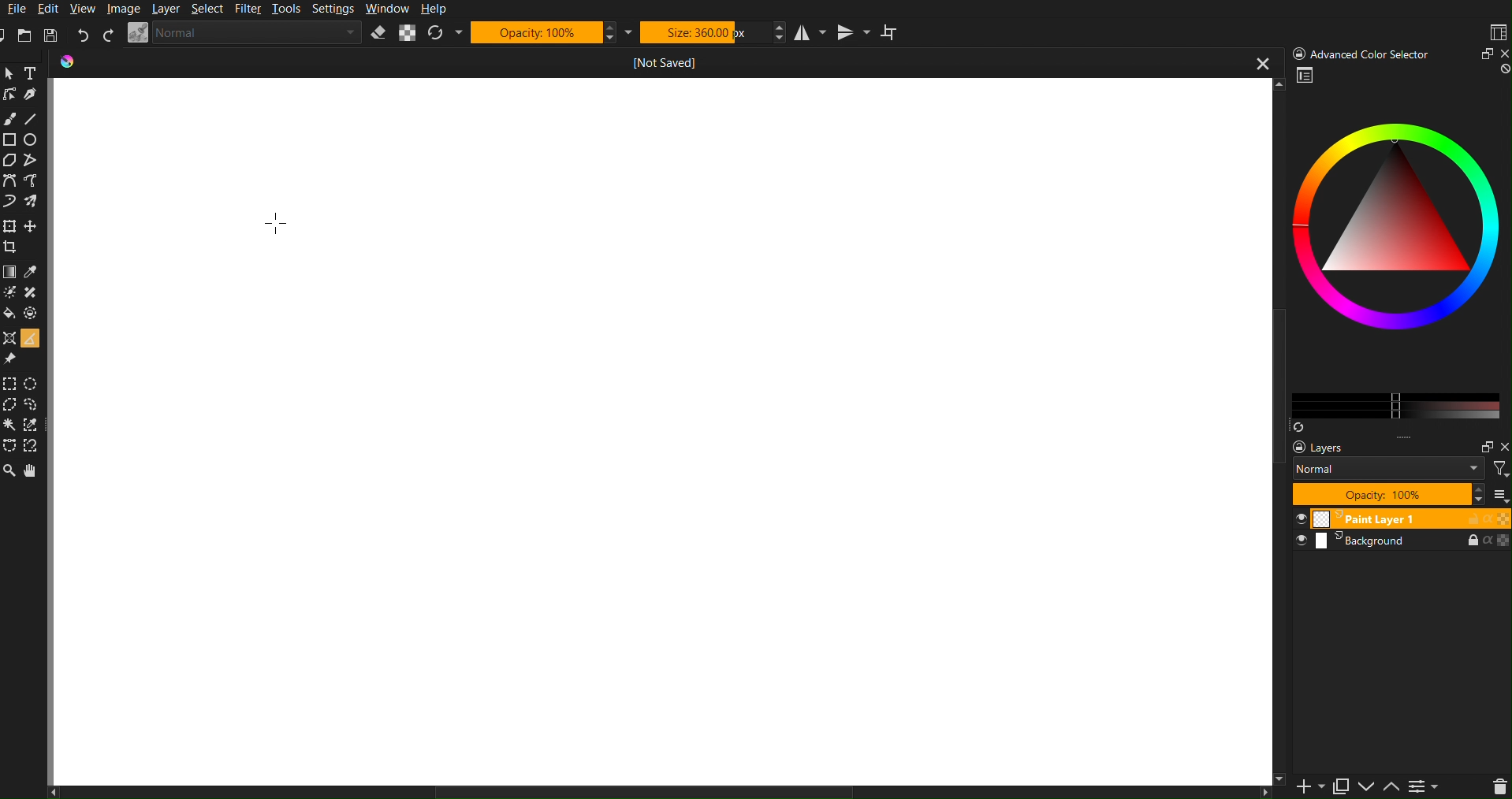 The image size is (1512, 799). What do you see at coordinates (33, 426) in the screenshot?
I see `Picker Marquee` at bounding box center [33, 426].